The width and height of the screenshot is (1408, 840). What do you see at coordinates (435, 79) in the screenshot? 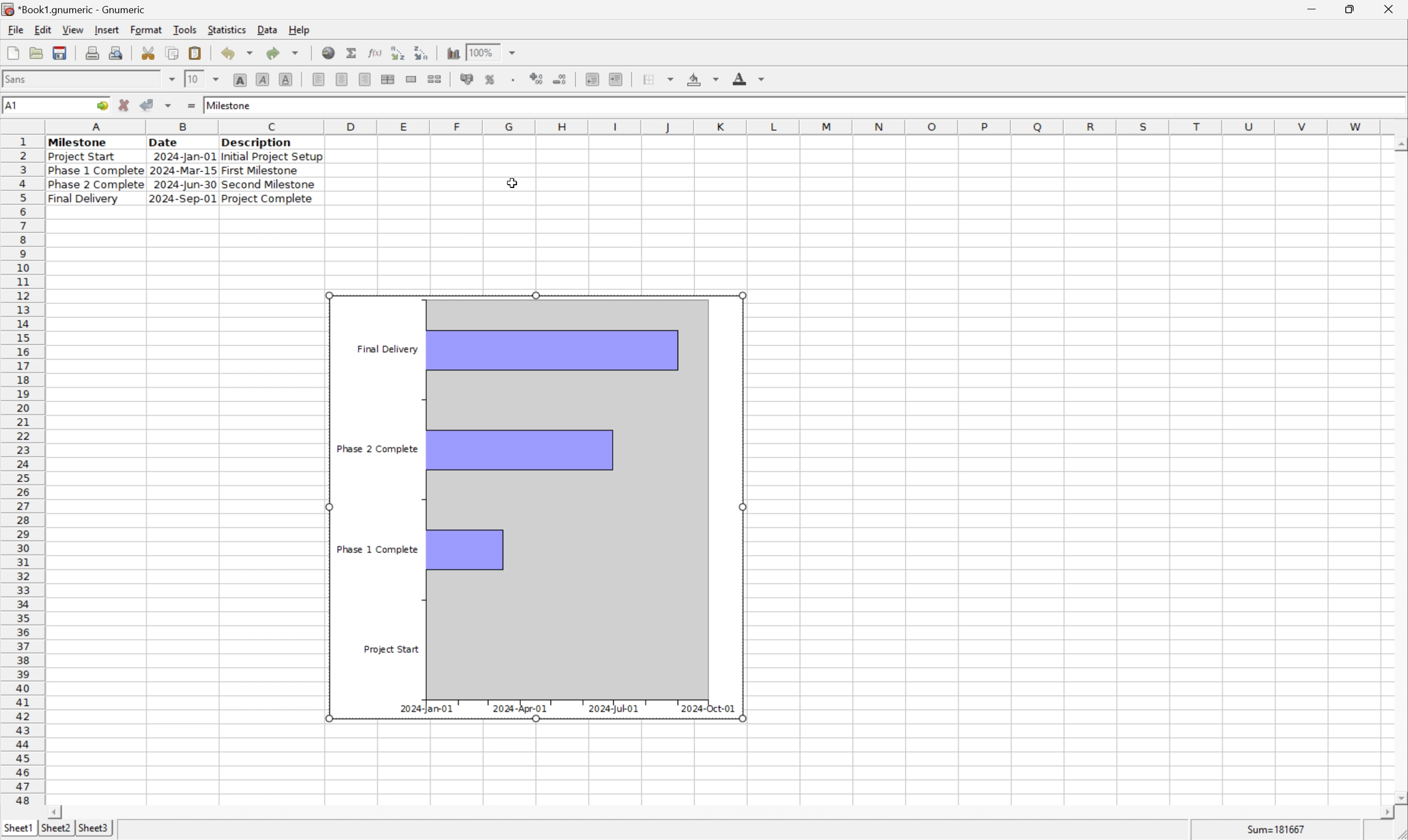
I see `split ranges of merged cells` at bounding box center [435, 79].